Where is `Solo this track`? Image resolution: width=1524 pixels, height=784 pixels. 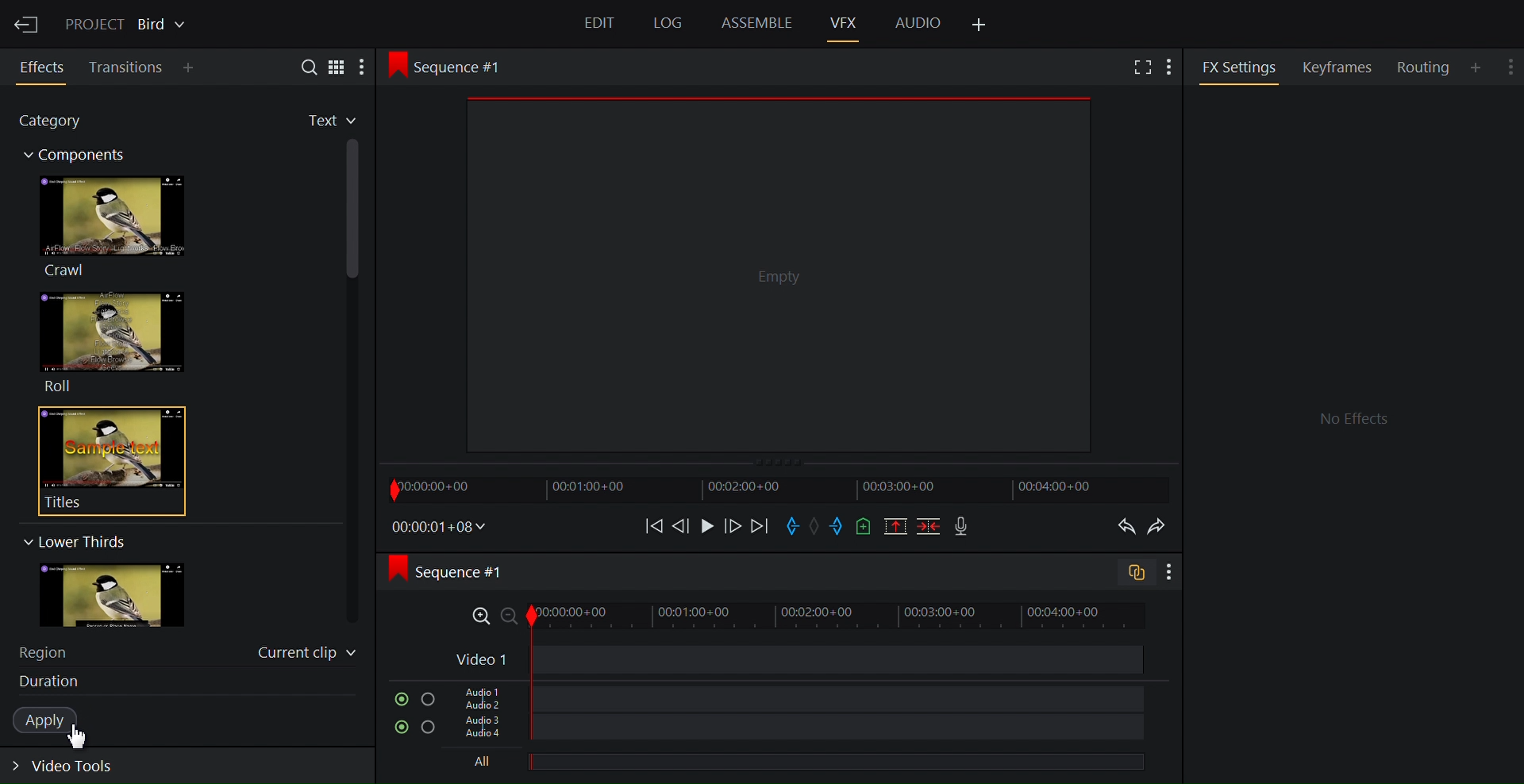 Solo this track is located at coordinates (428, 700).